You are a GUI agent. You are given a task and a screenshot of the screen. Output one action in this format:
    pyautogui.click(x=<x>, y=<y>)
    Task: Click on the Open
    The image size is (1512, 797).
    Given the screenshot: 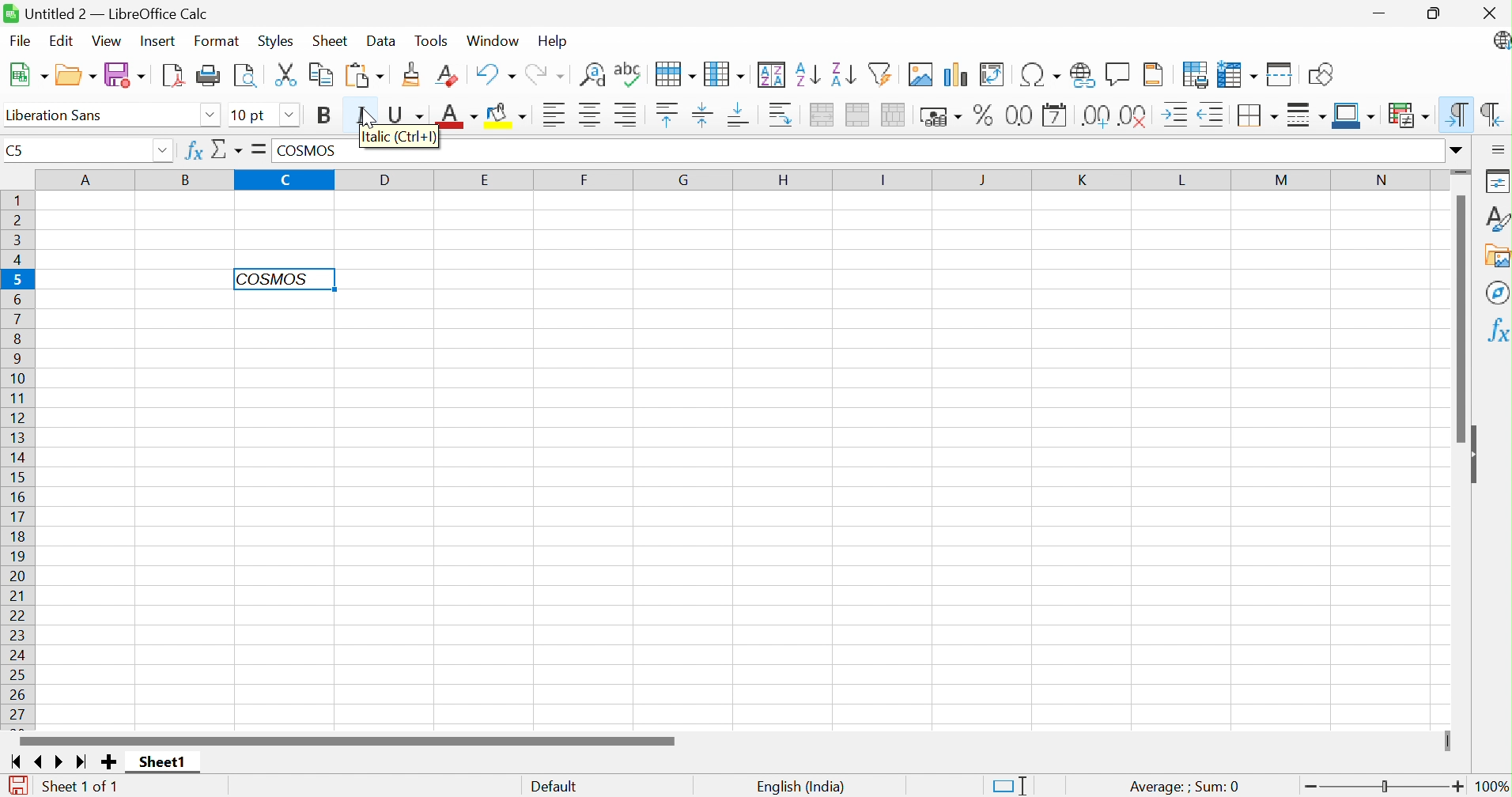 What is the action you would take?
    pyautogui.click(x=75, y=73)
    